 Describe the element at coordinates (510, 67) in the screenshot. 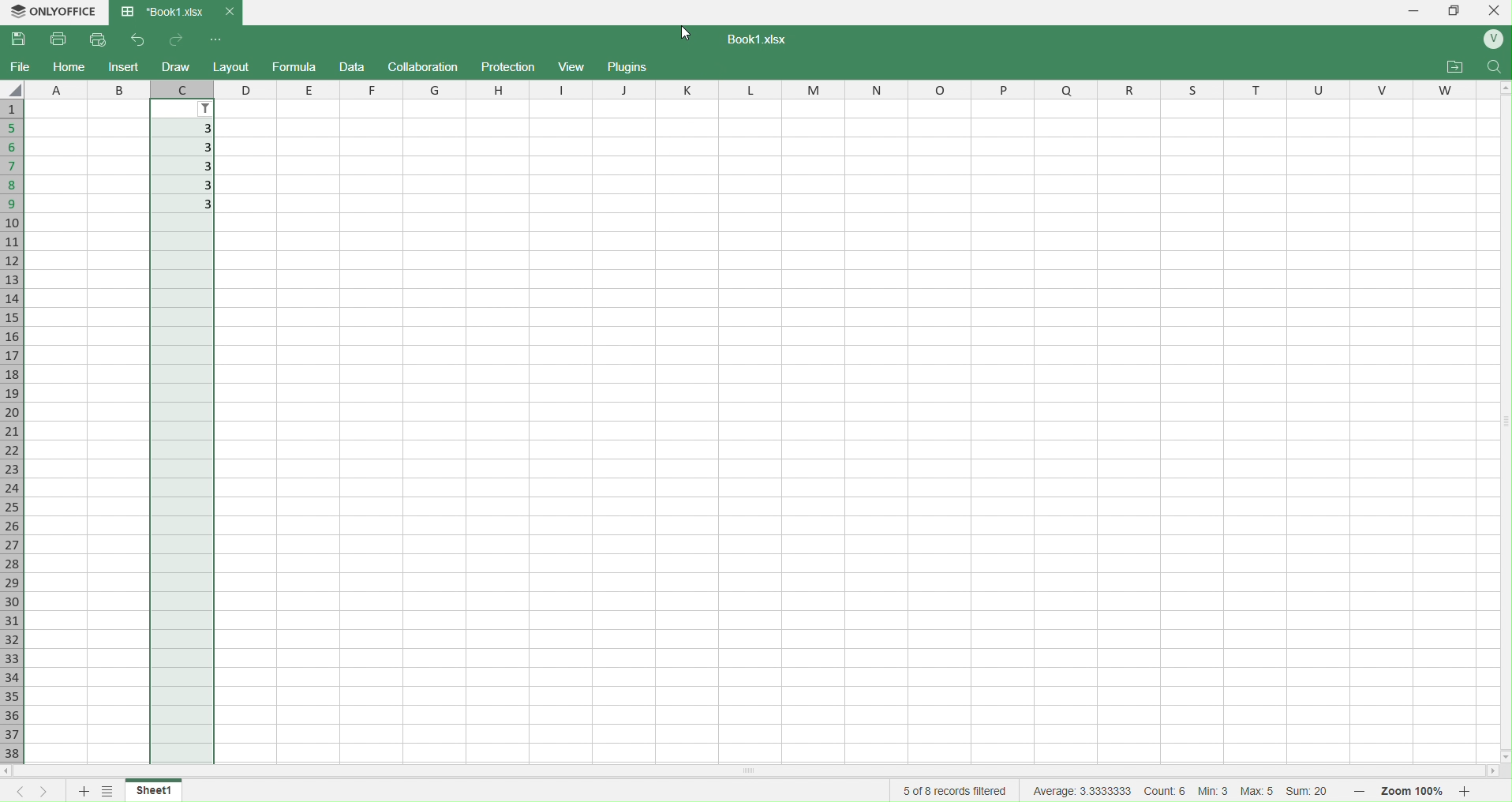

I see `Protection` at that location.